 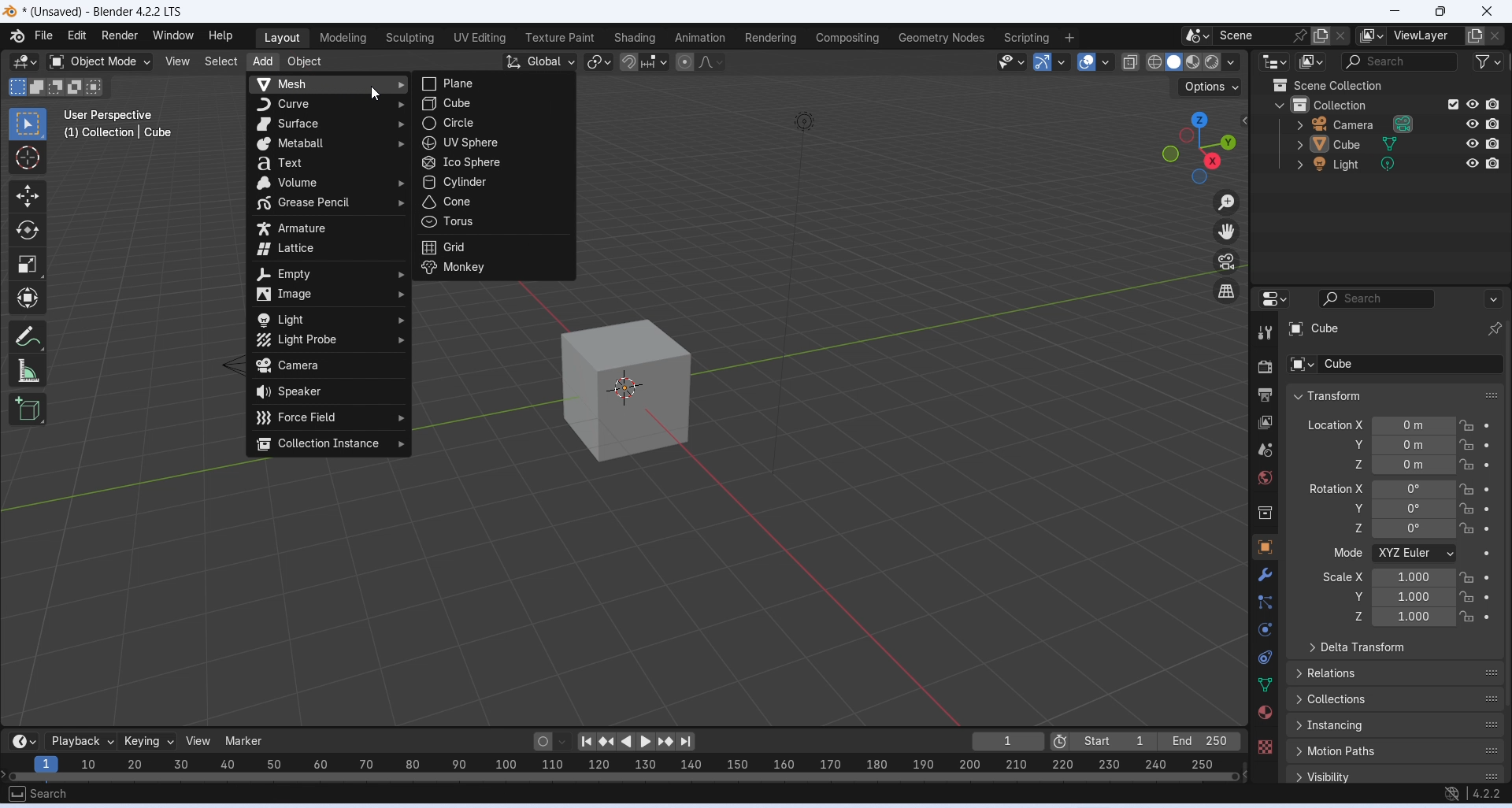 I want to click on y, so click(x=1350, y=595).